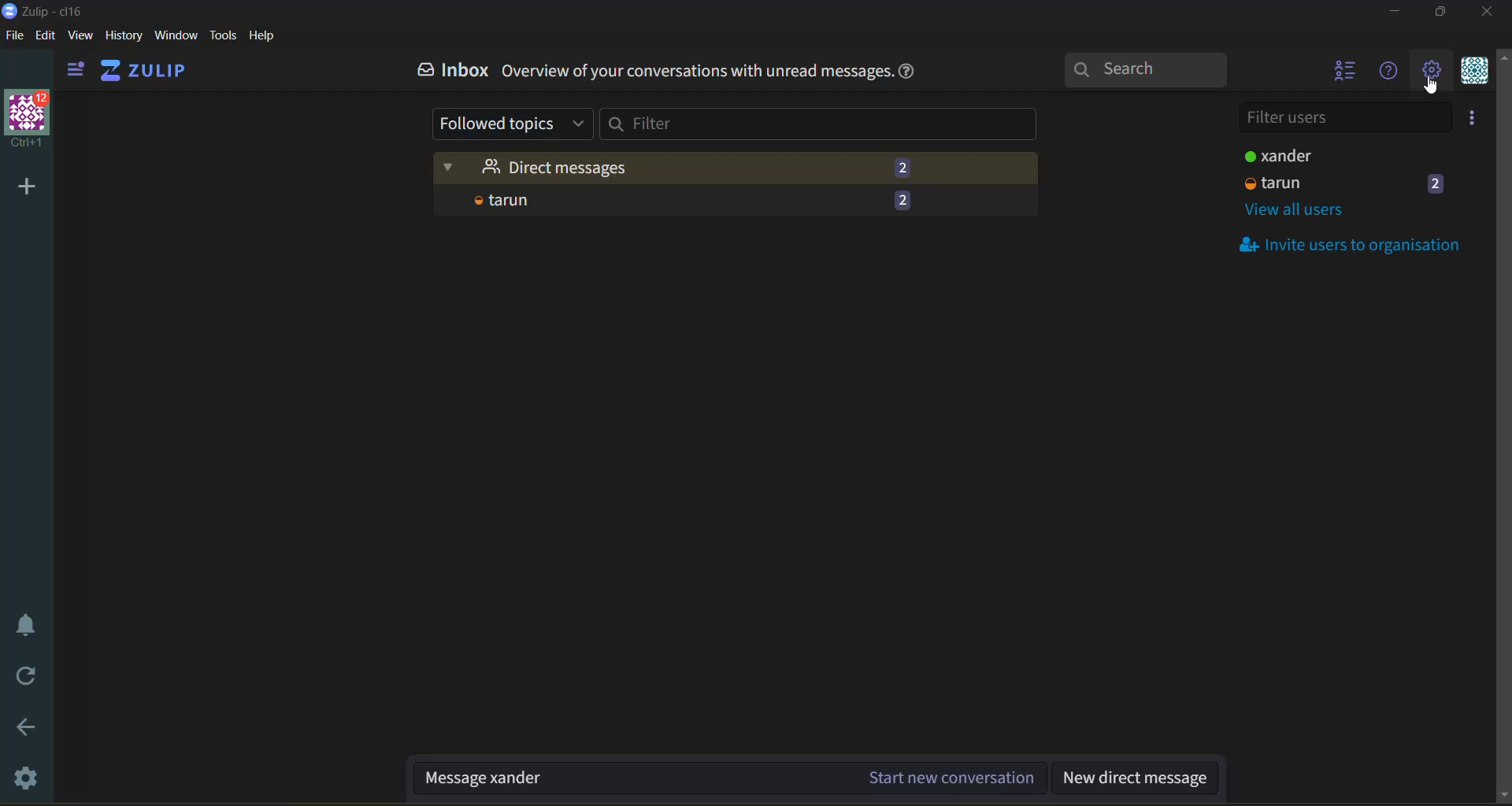 This screenshot has width=1512, height=806. What do you see at coordinates (175, 38) in the screenshot?
I see `window` at bounding box center [175, 38].